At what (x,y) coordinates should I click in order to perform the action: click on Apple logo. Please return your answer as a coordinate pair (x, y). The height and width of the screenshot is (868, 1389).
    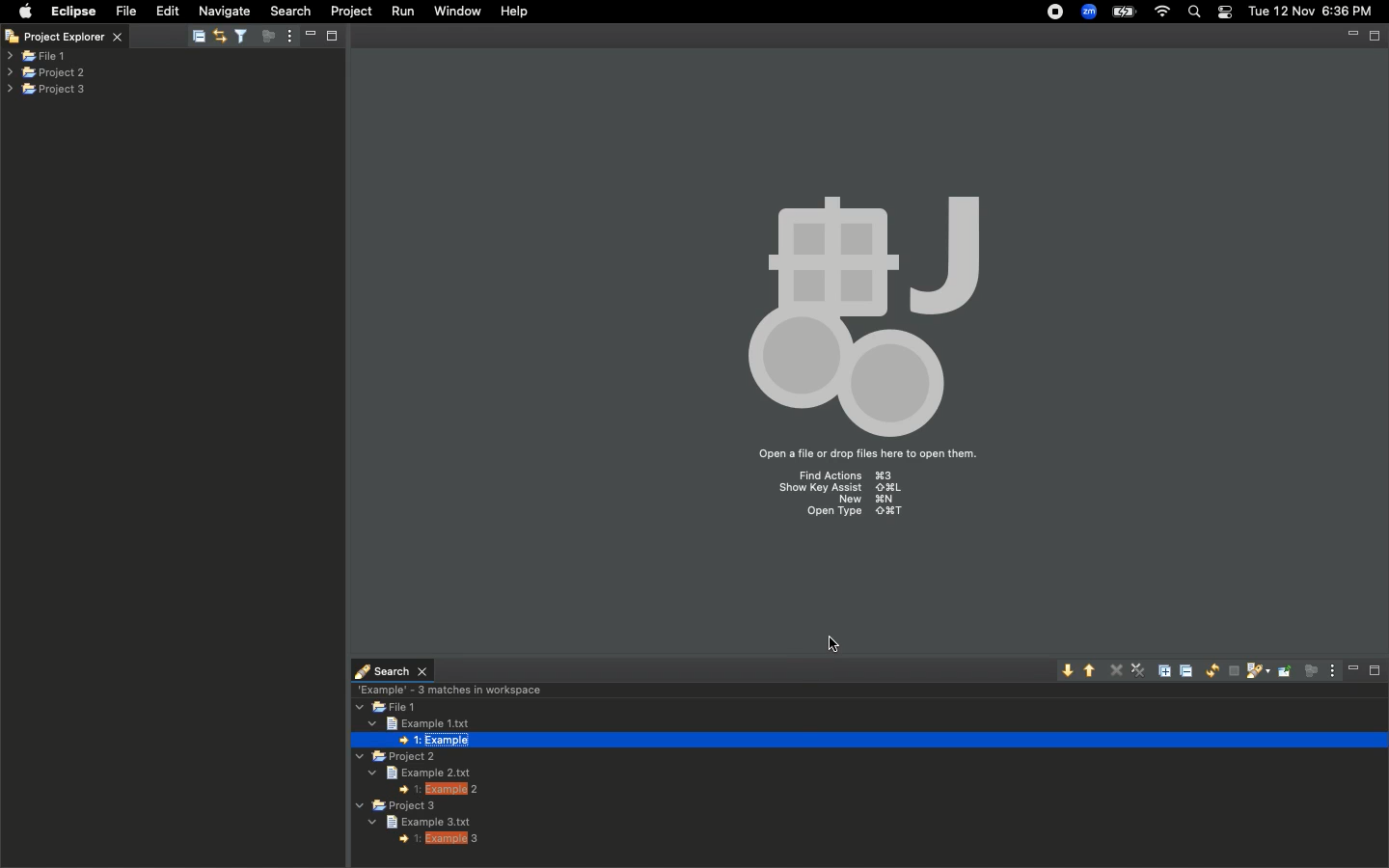
    Looking at the image, I should click on (25, 11).